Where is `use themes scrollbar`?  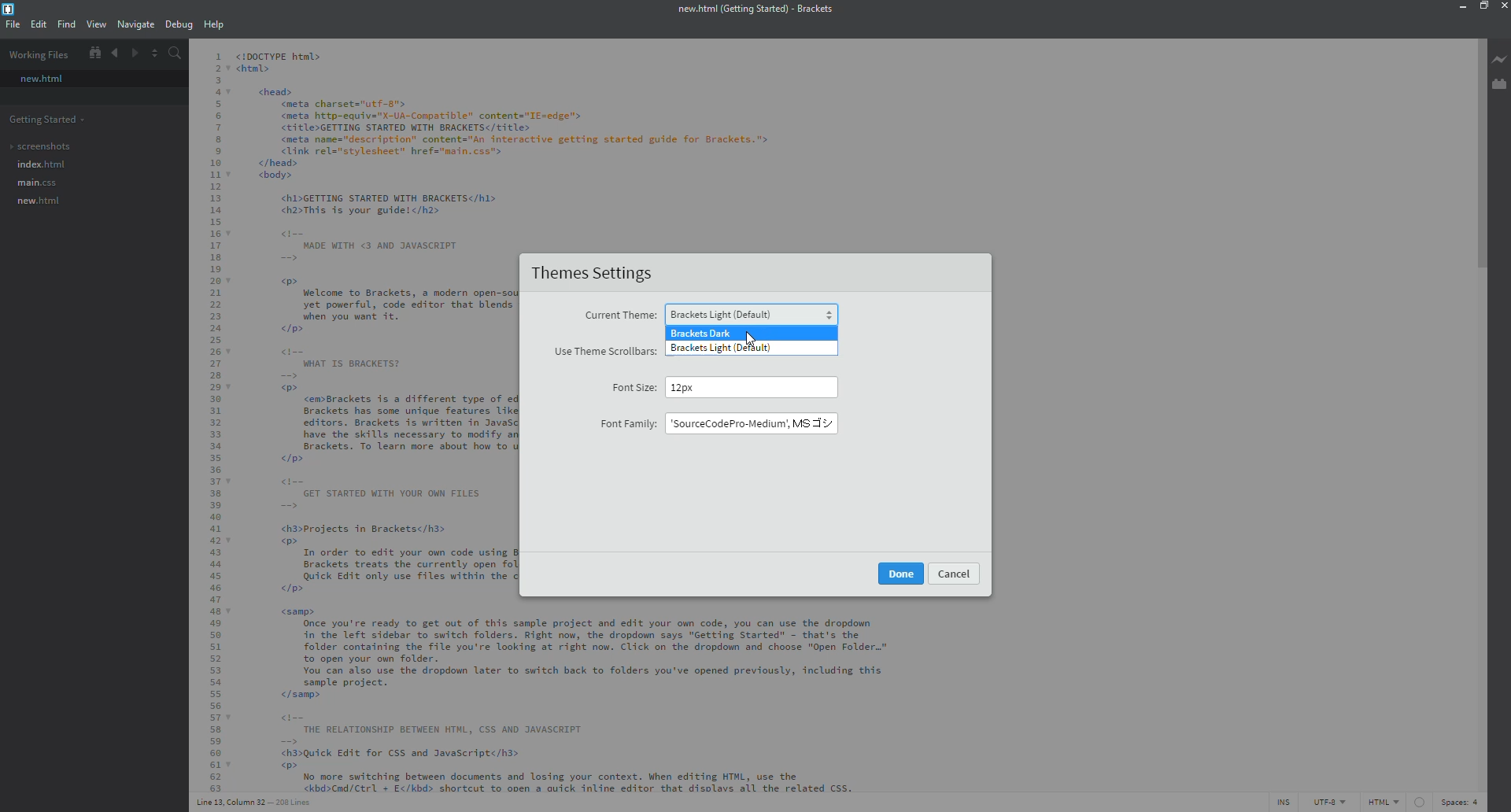 use themes scrollbar is located at coordinates (602, 352).